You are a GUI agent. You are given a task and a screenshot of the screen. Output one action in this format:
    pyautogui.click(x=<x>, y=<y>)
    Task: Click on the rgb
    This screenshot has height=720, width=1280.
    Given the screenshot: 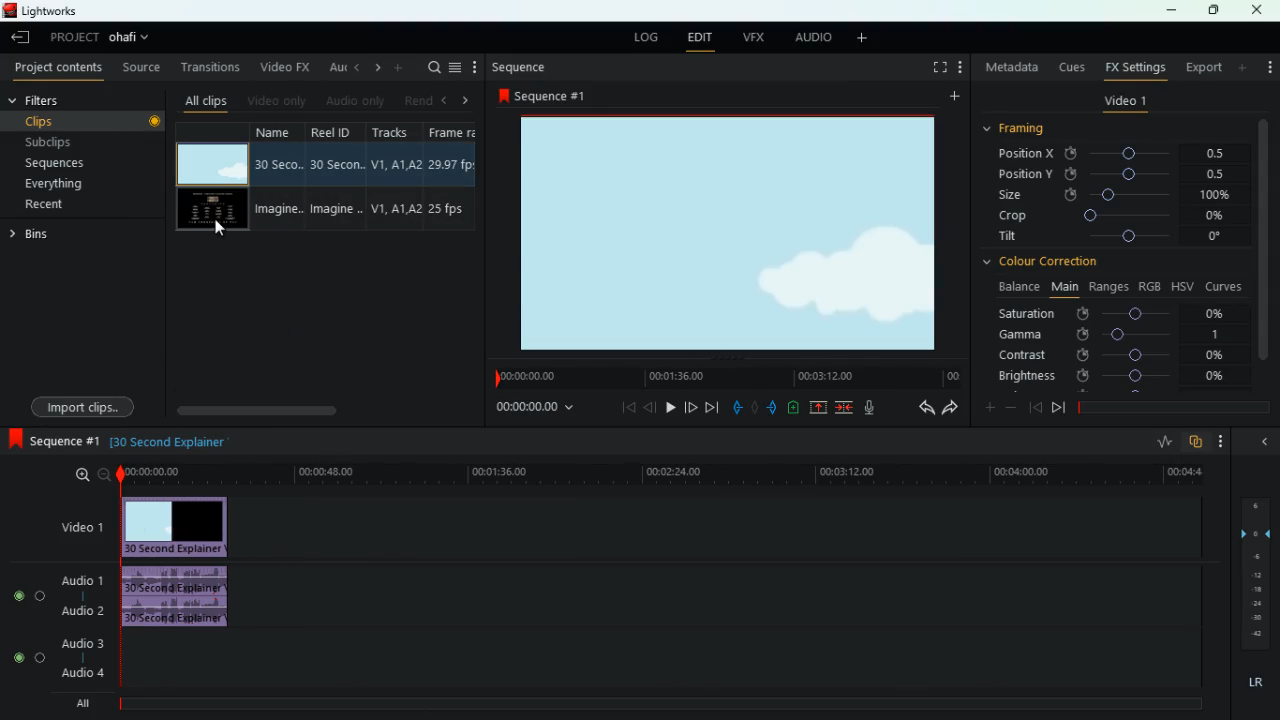 What is the action you would take?
    pyautogui.click(x=1150, y=285)
    